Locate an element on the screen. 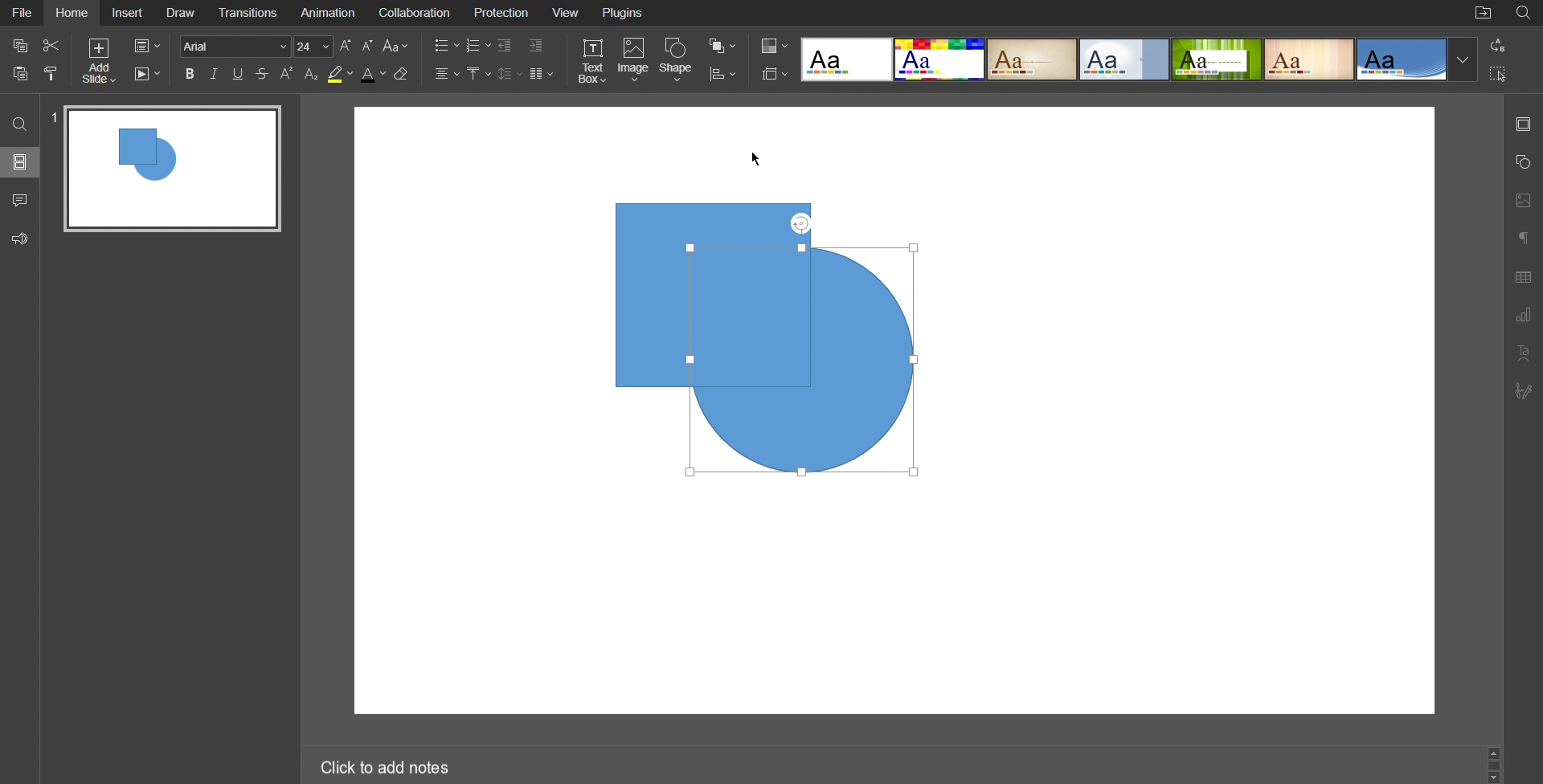 The width and height of the screenshot is (1543, 784). Alignment is located at coordinates (445, 73).